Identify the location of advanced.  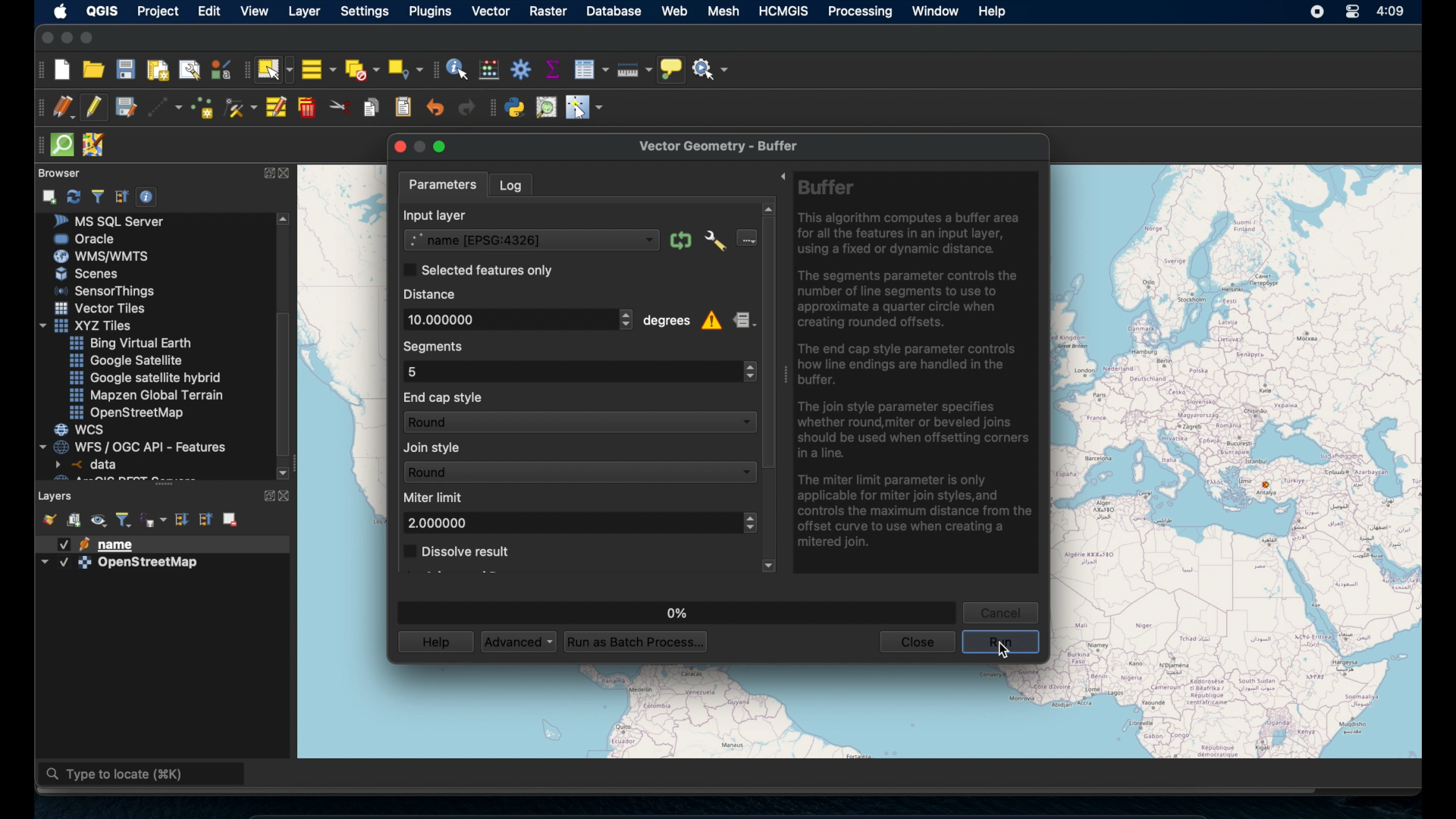
(516, 641).